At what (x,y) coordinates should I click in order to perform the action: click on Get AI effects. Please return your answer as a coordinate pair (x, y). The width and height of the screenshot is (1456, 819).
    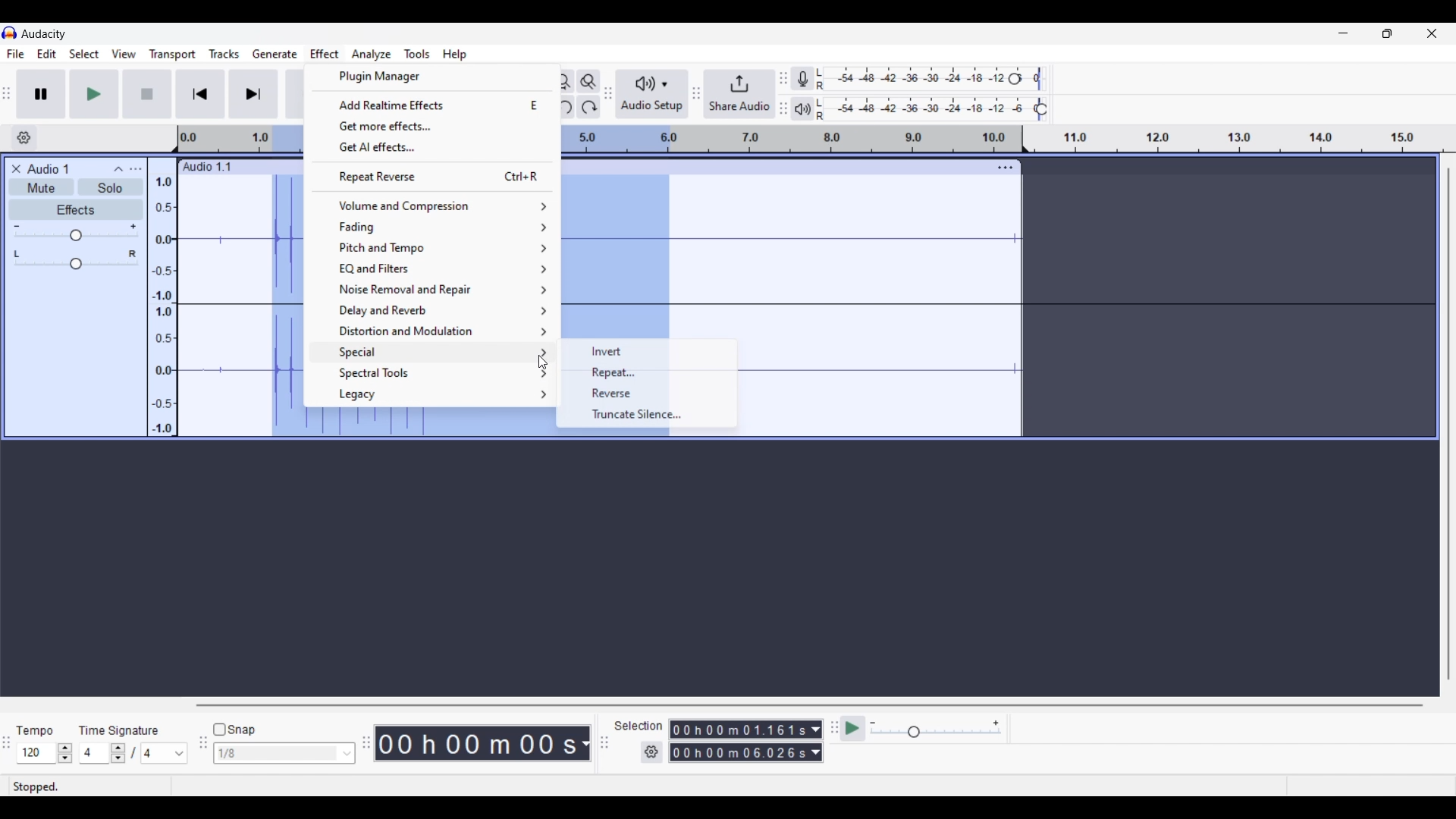
    Looking at the image, I should click on (432, 147).